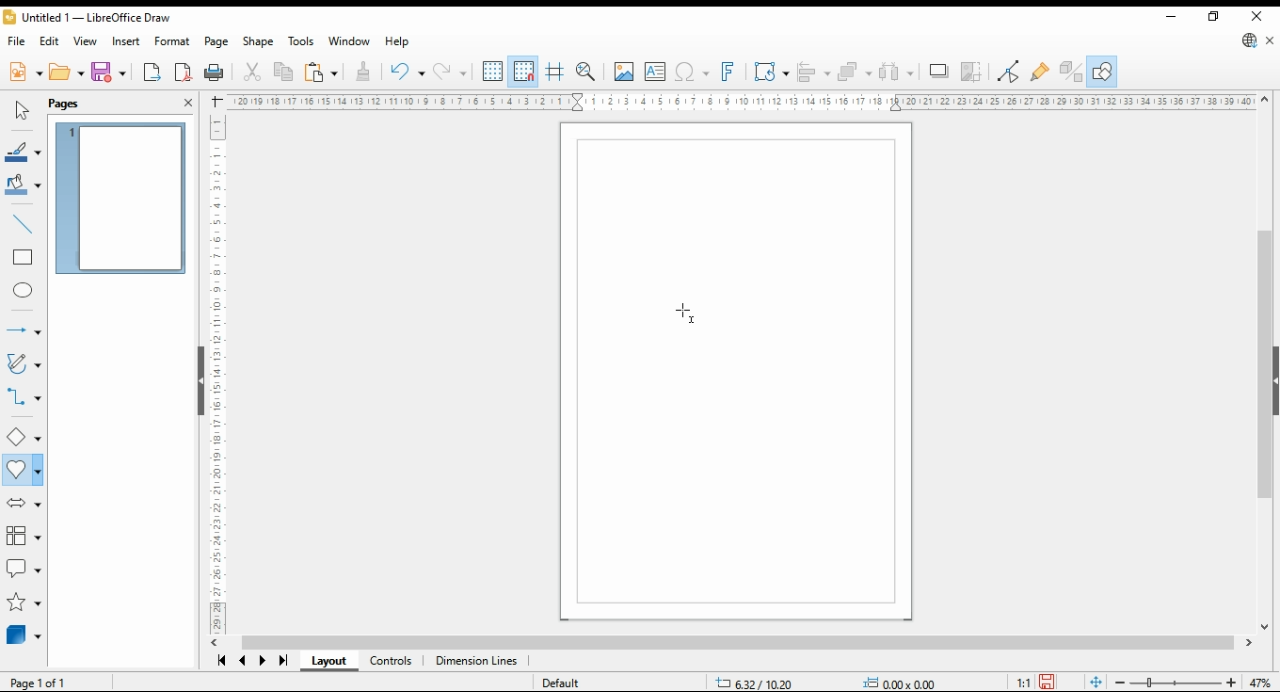 The height and width of the screenshot is (692, 1280). Describe the element at coordinates (392, 663) in the screenshot. I see `controls` at that location.